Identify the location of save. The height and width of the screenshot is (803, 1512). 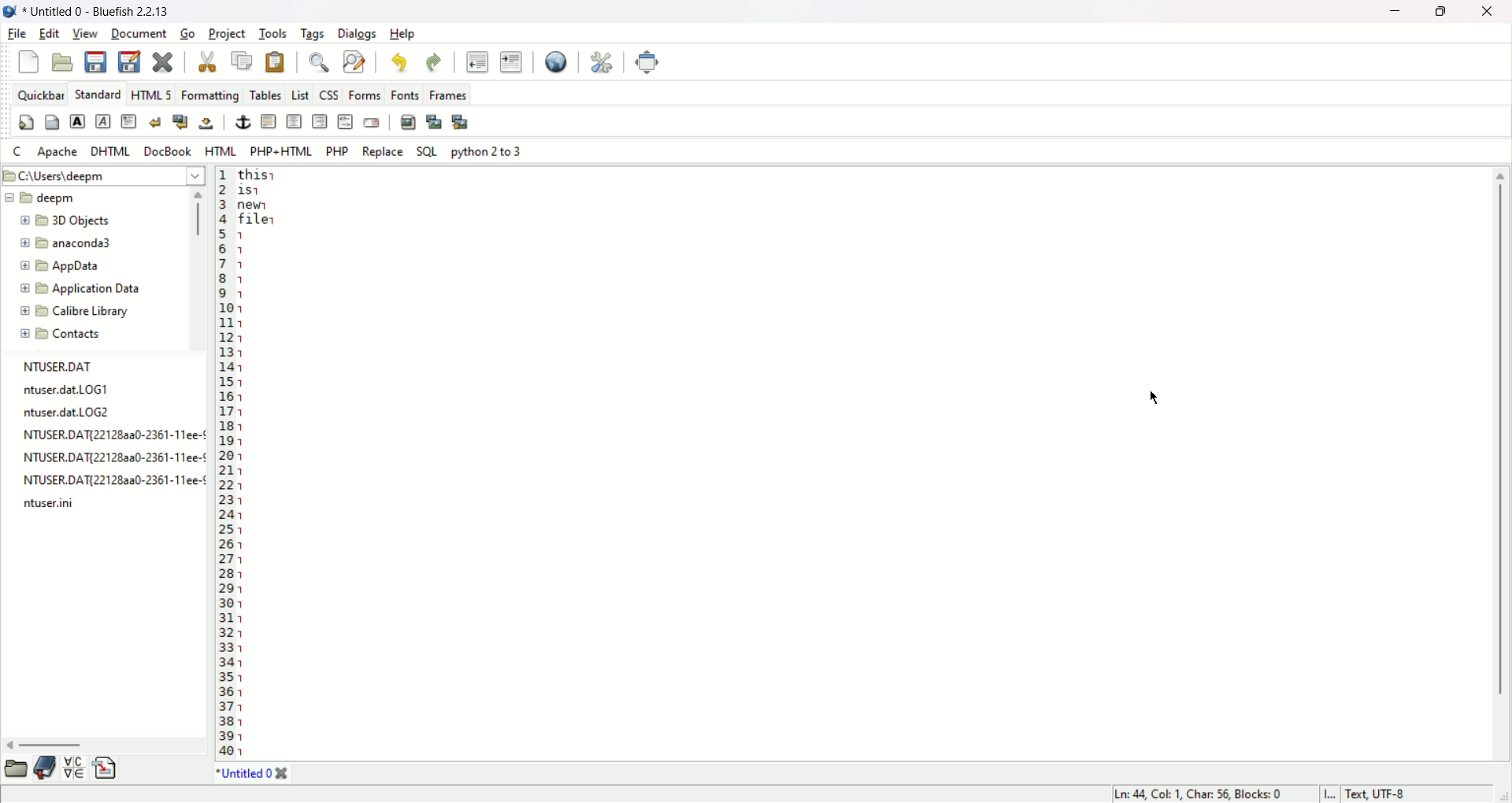
(98, 61).